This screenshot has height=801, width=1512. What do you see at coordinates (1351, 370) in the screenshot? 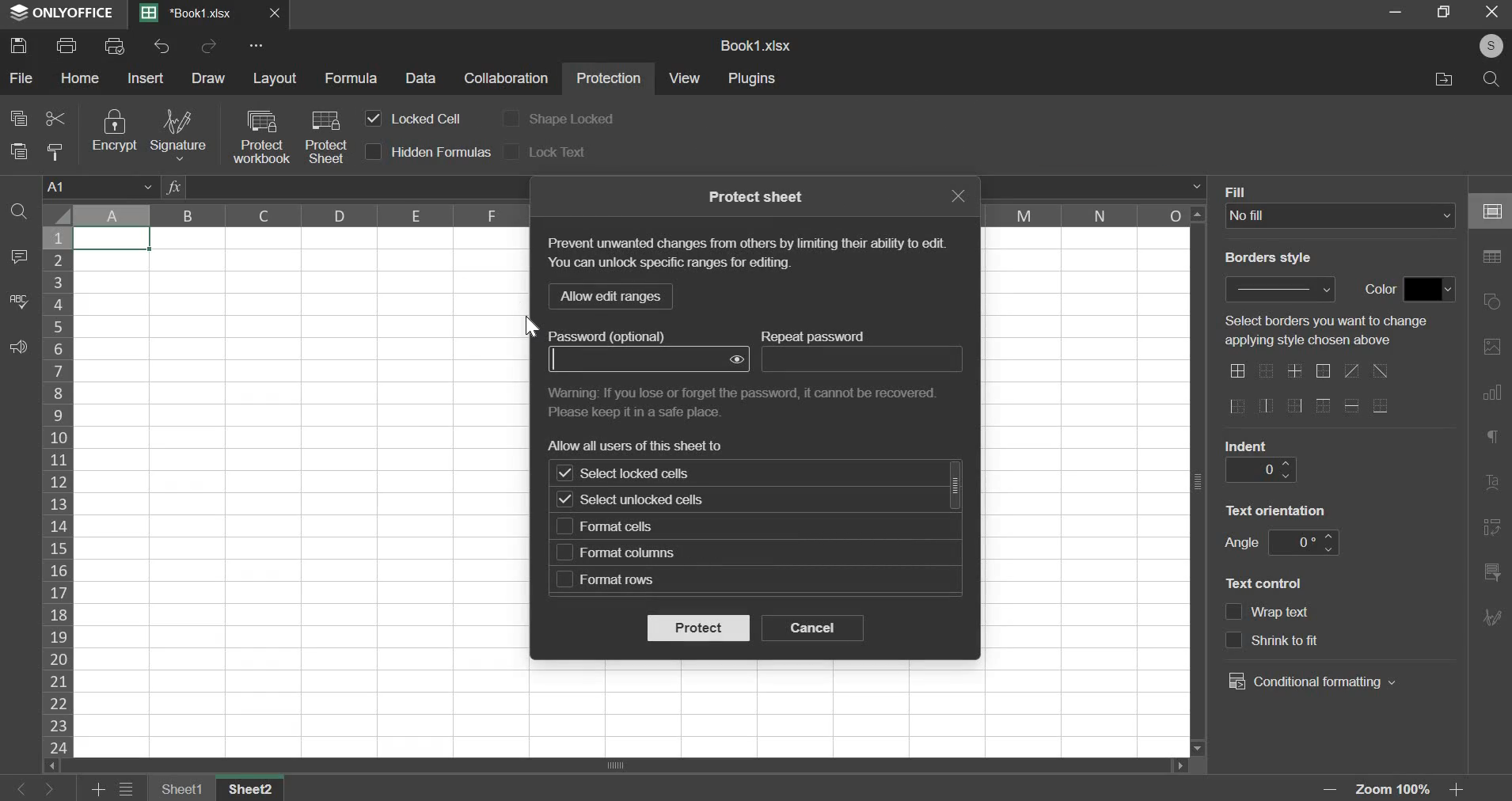
I see `border options` at bounding box center [1351, 370].